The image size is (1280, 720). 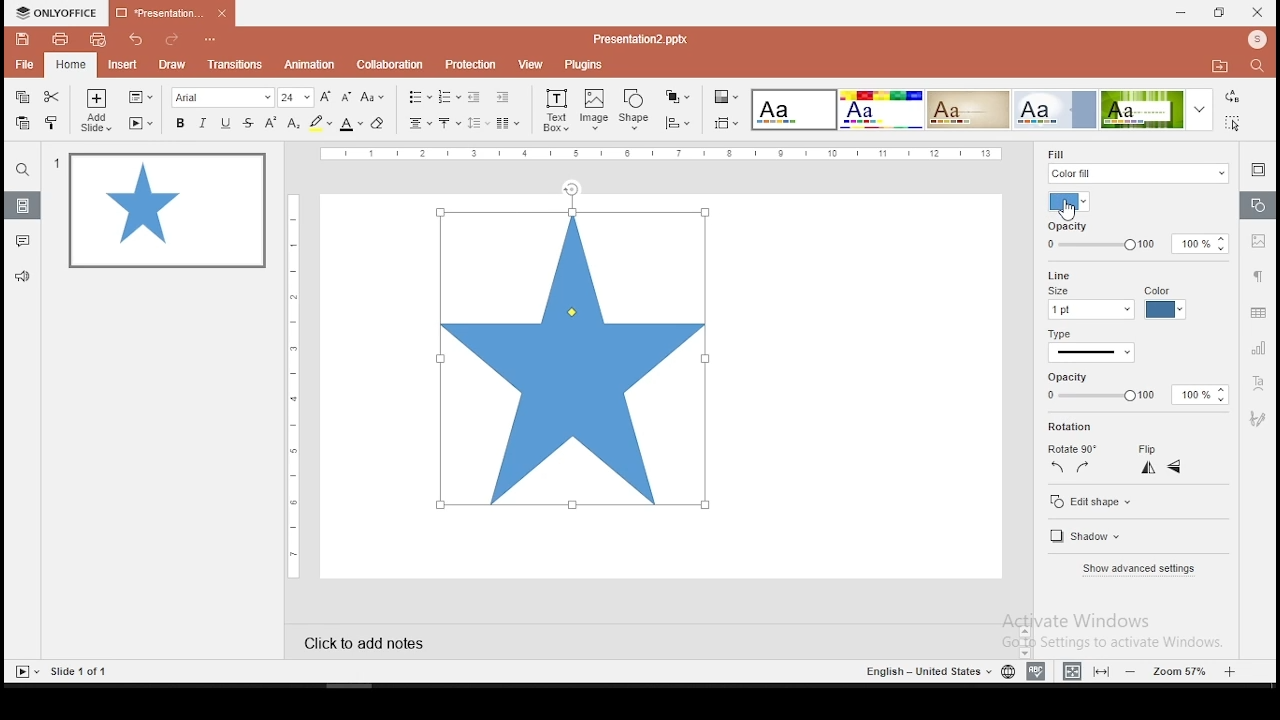 What do you see at coordinates (1070, 212) in the screenshot?
I see `cursor` at bounding box center [1070, 212].